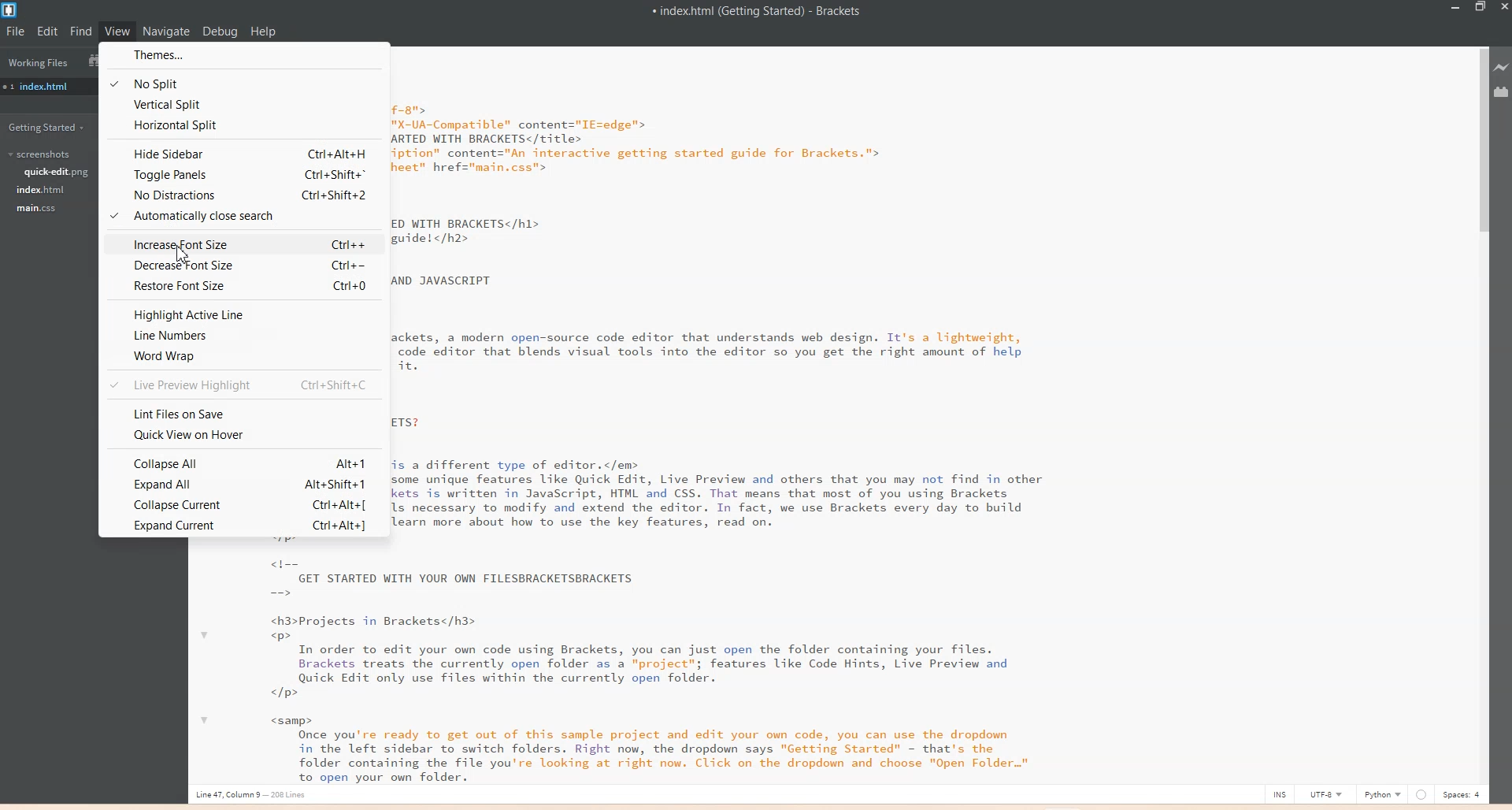 Image resolution: width=1512 pixels, height=810 pixels. Describe the element at coordinates (168, 32) in the screenshot. I see `Navigate` at that location.